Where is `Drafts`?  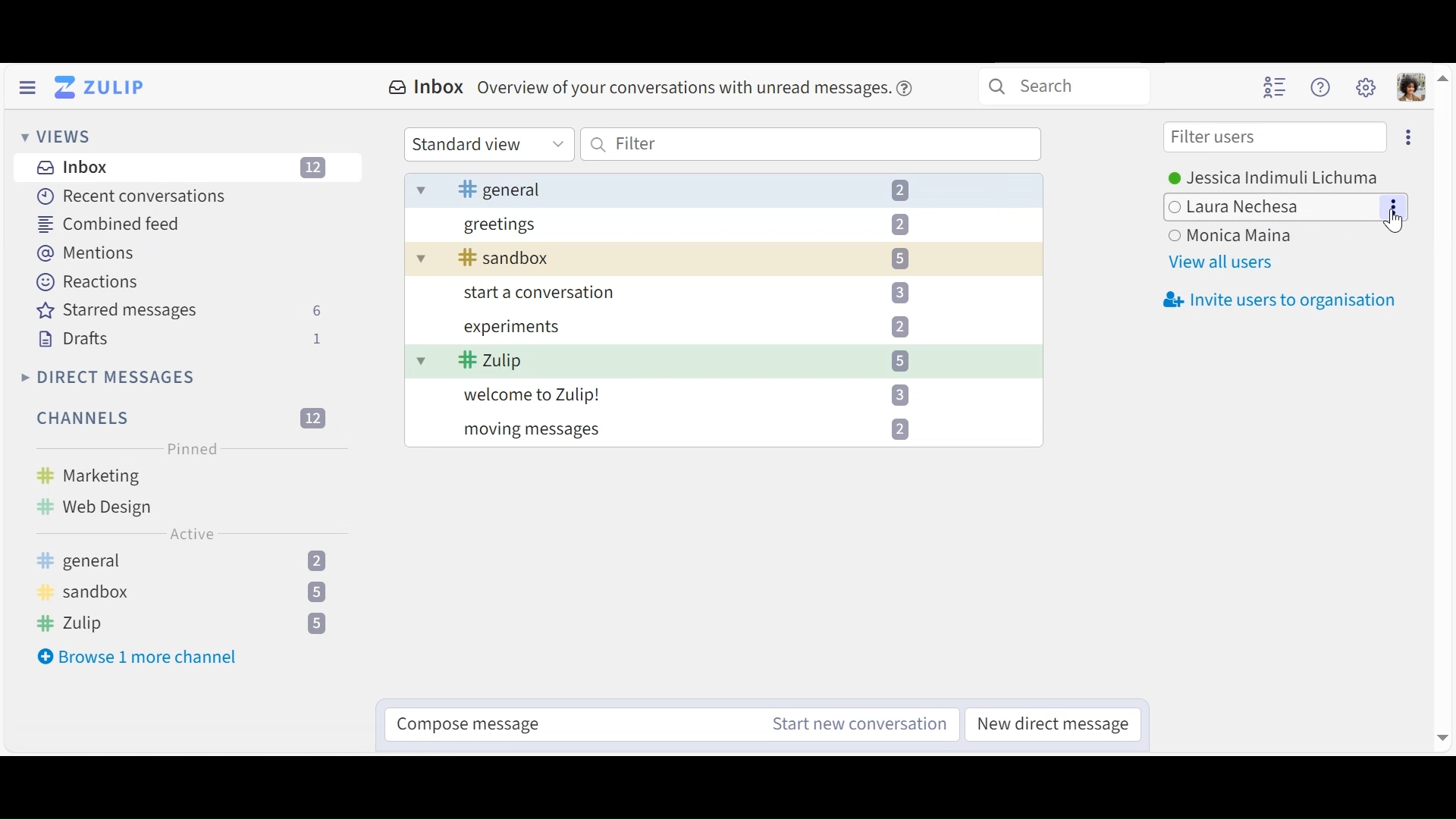
Drafts is located at coordinates (179, 337).